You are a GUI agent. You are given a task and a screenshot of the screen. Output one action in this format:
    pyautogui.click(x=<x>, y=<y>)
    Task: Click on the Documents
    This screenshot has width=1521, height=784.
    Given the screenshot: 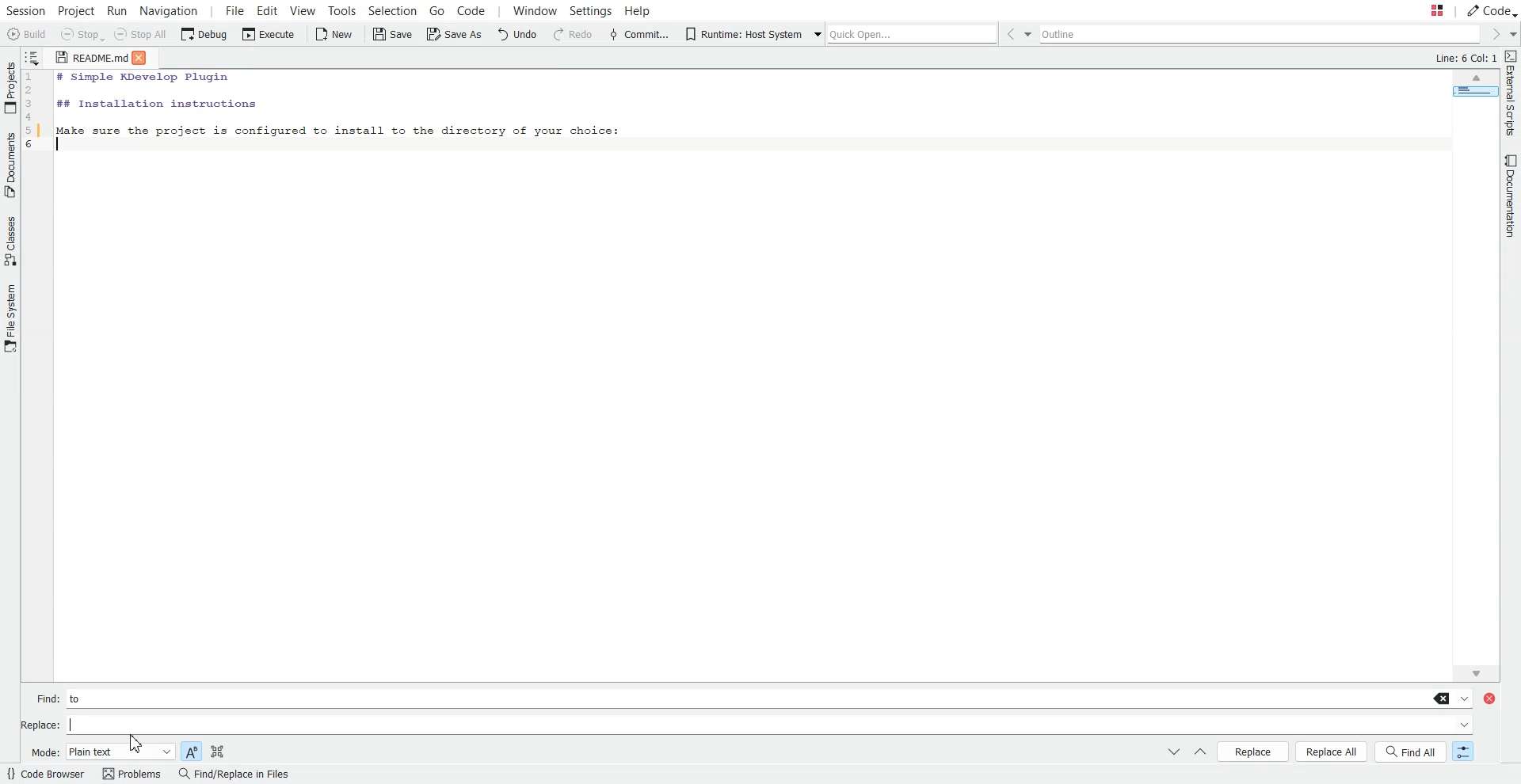 What is the action you would take?
    pyautogui.click(x=10, y=165)
    